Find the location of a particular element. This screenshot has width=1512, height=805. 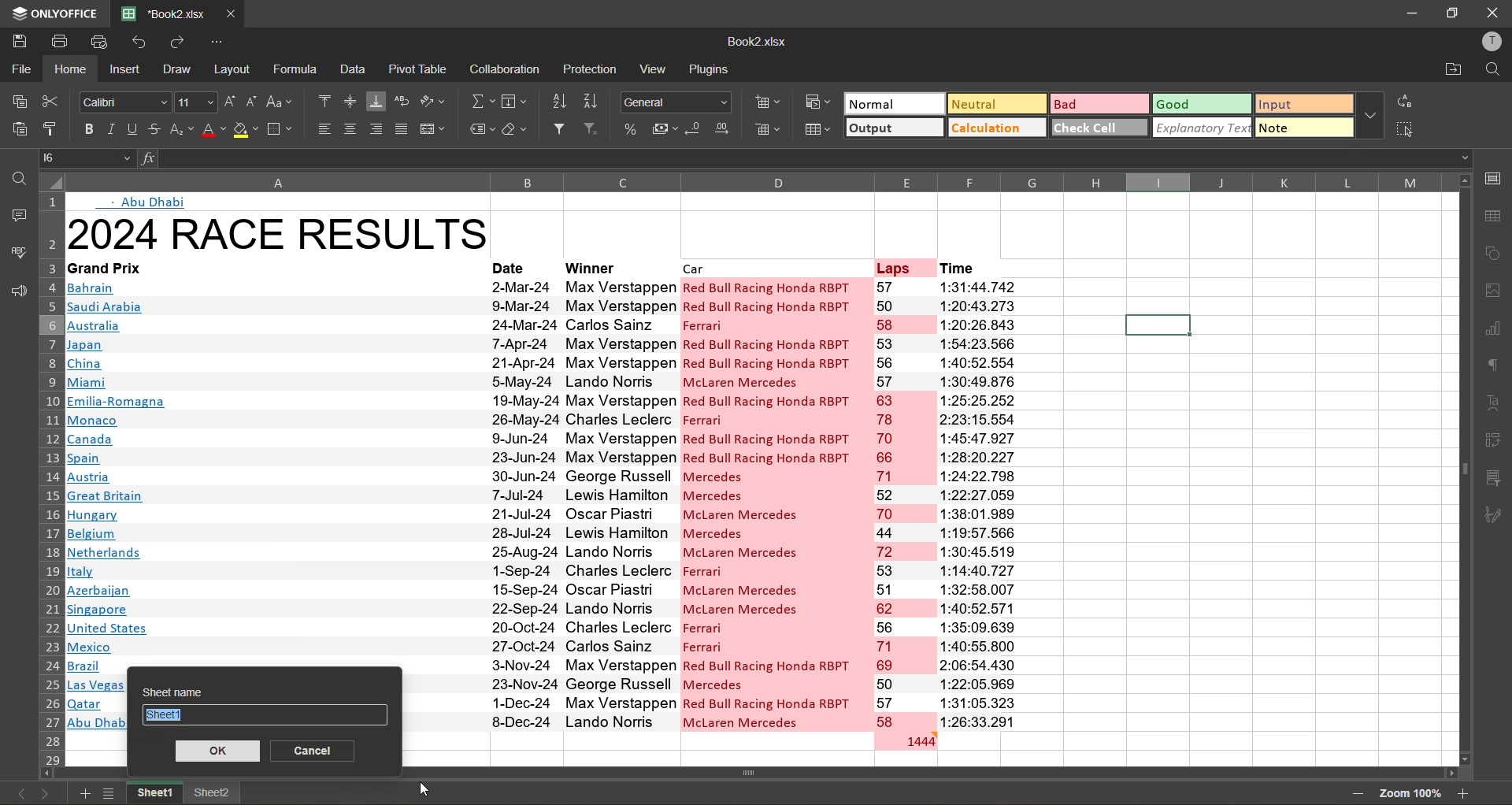

output is located at coordinates (890, 128).